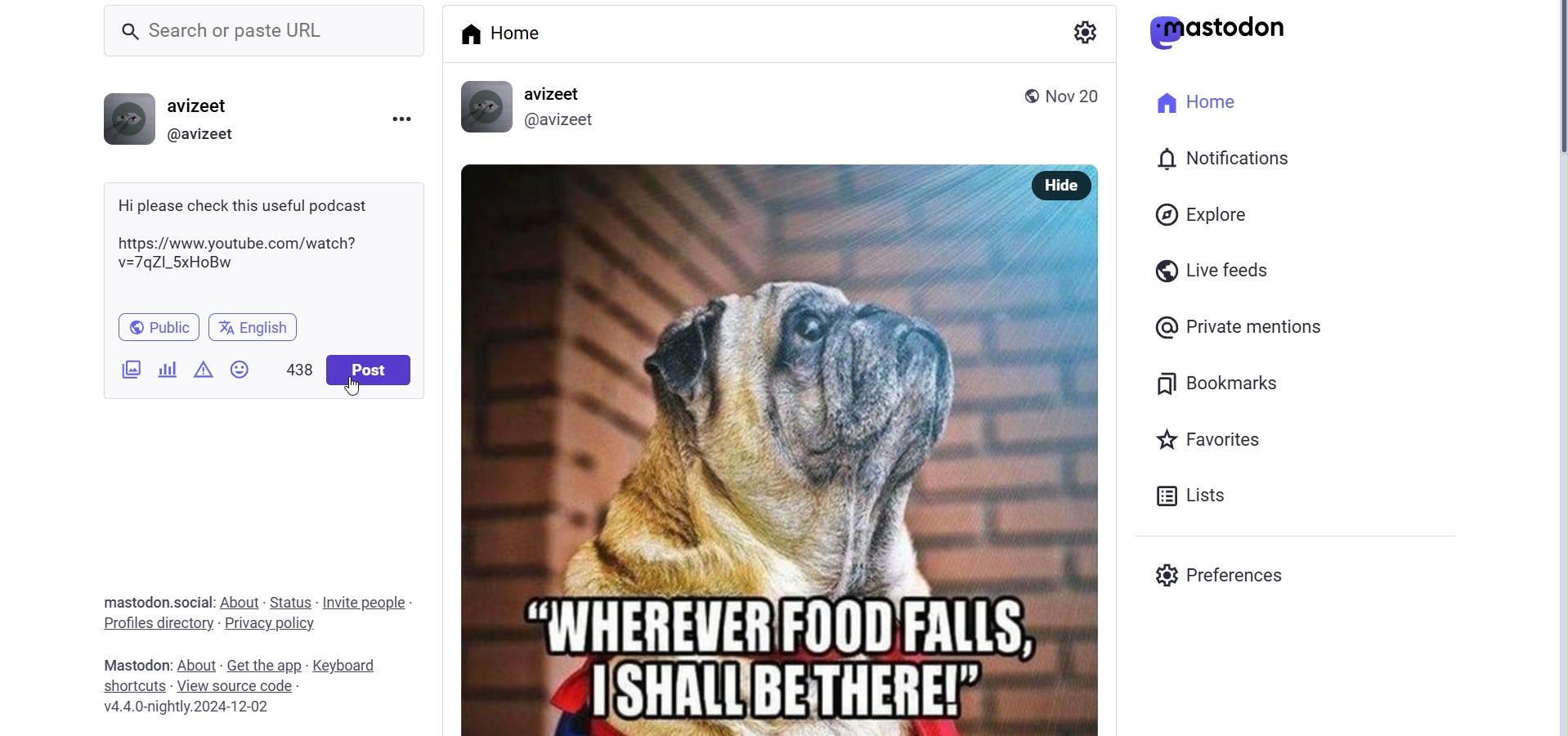 The image size is (1568, 736). I want to click on favorites, so click(1214, 439).